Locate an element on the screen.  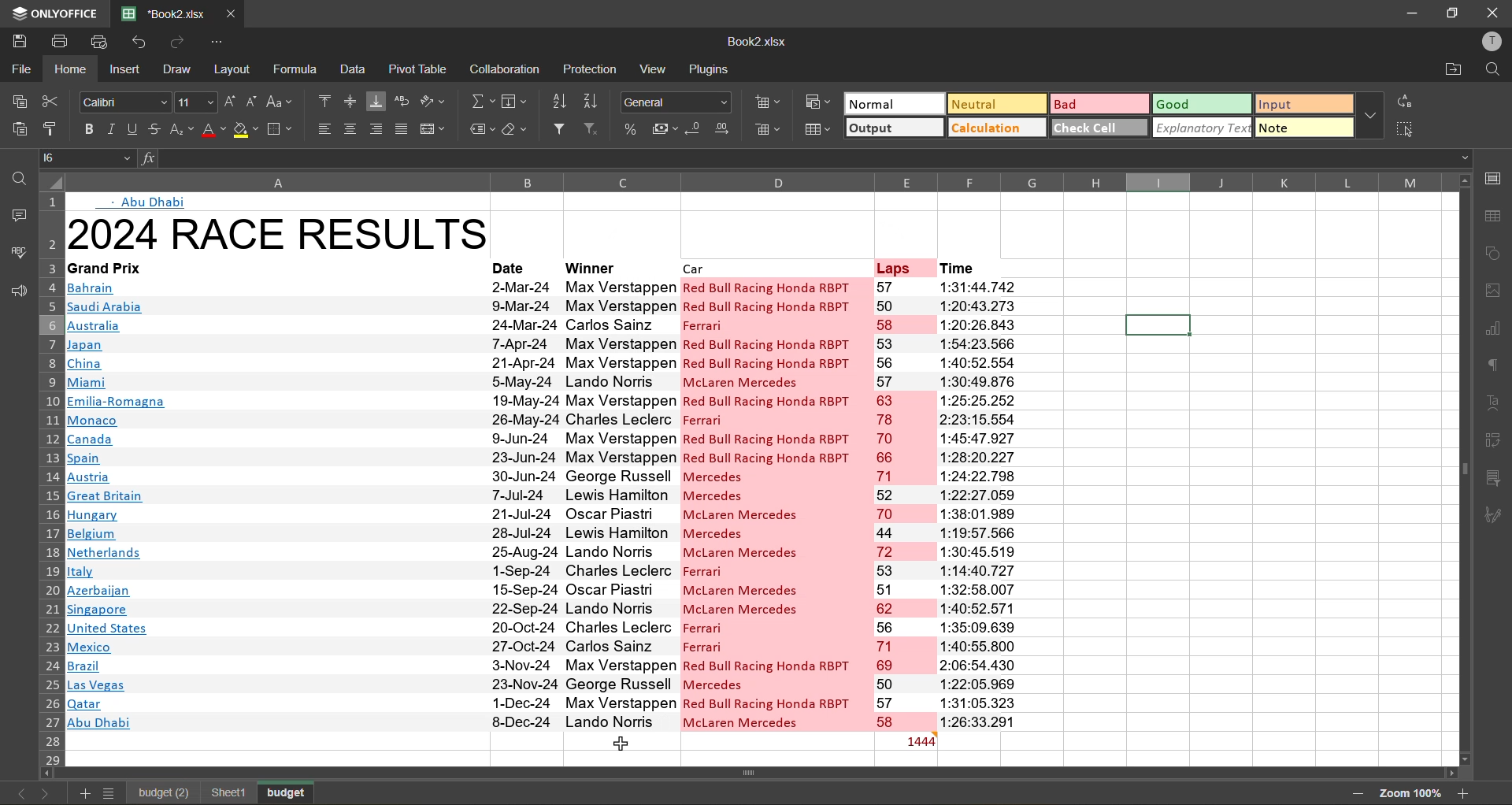
budget(2) is located at coordinates (220, 793).